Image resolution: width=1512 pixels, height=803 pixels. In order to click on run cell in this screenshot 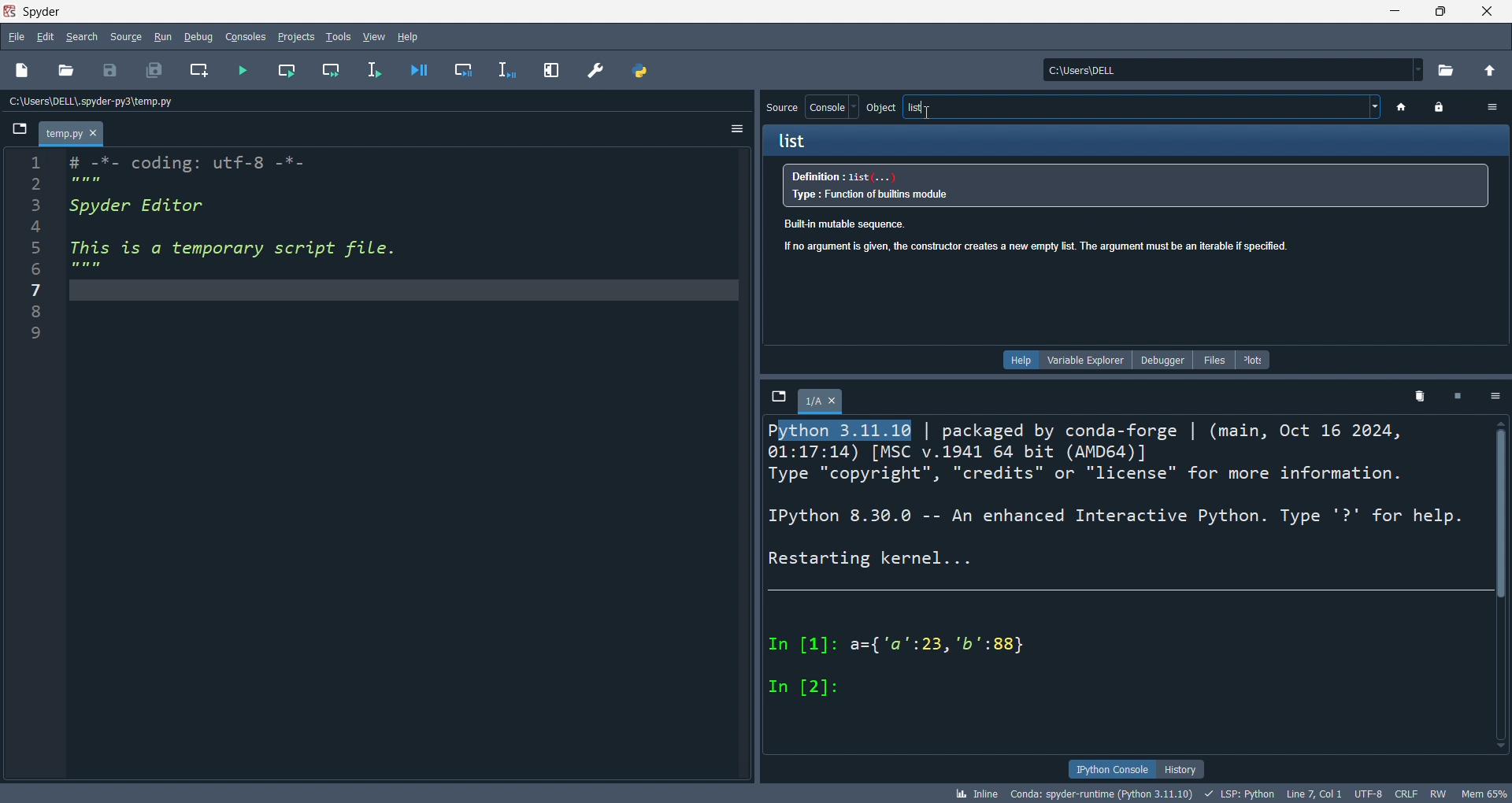, I will do `click(287, 68)`.